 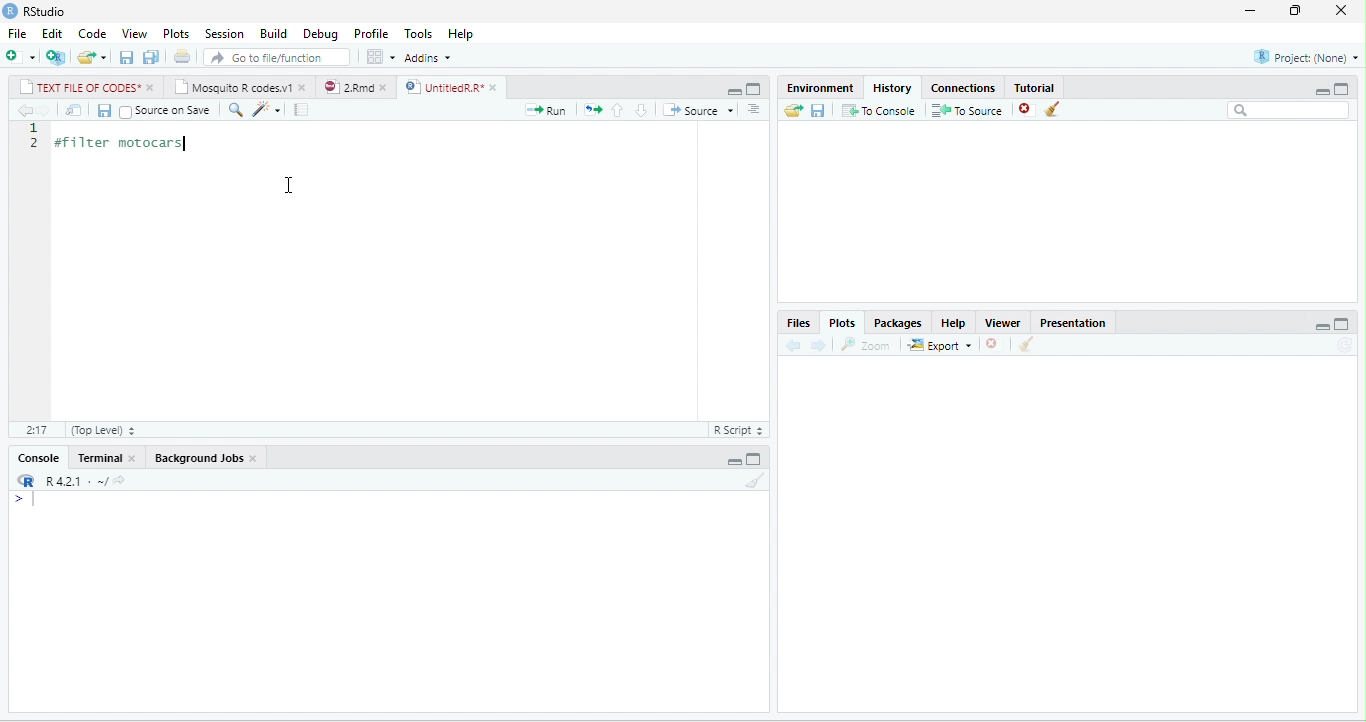 What do you see at coordinates (756, 480) in the screenshot?
I see `clear` at bounding box center [756, 480].